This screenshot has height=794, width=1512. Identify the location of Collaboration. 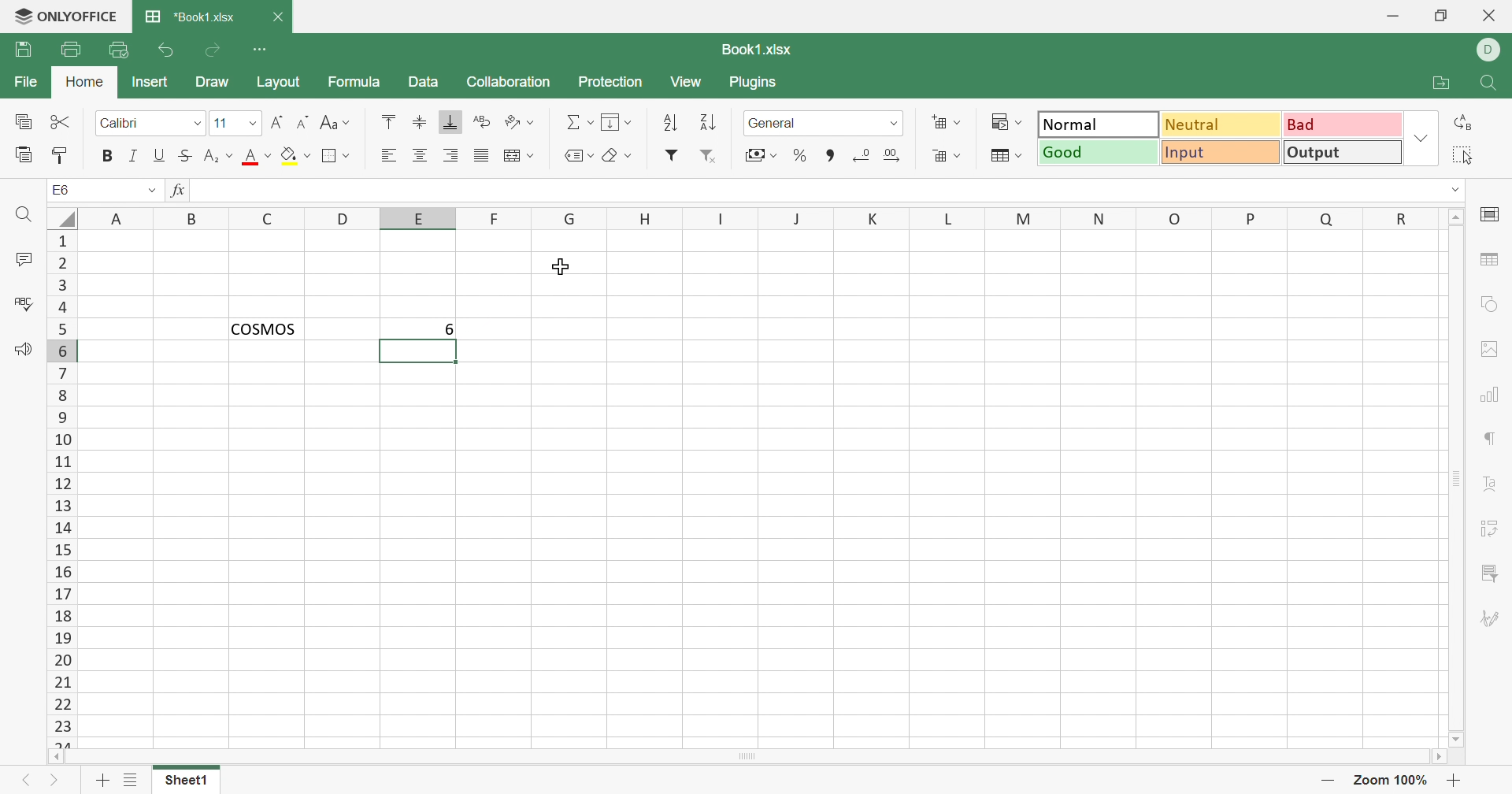
(510, 82).